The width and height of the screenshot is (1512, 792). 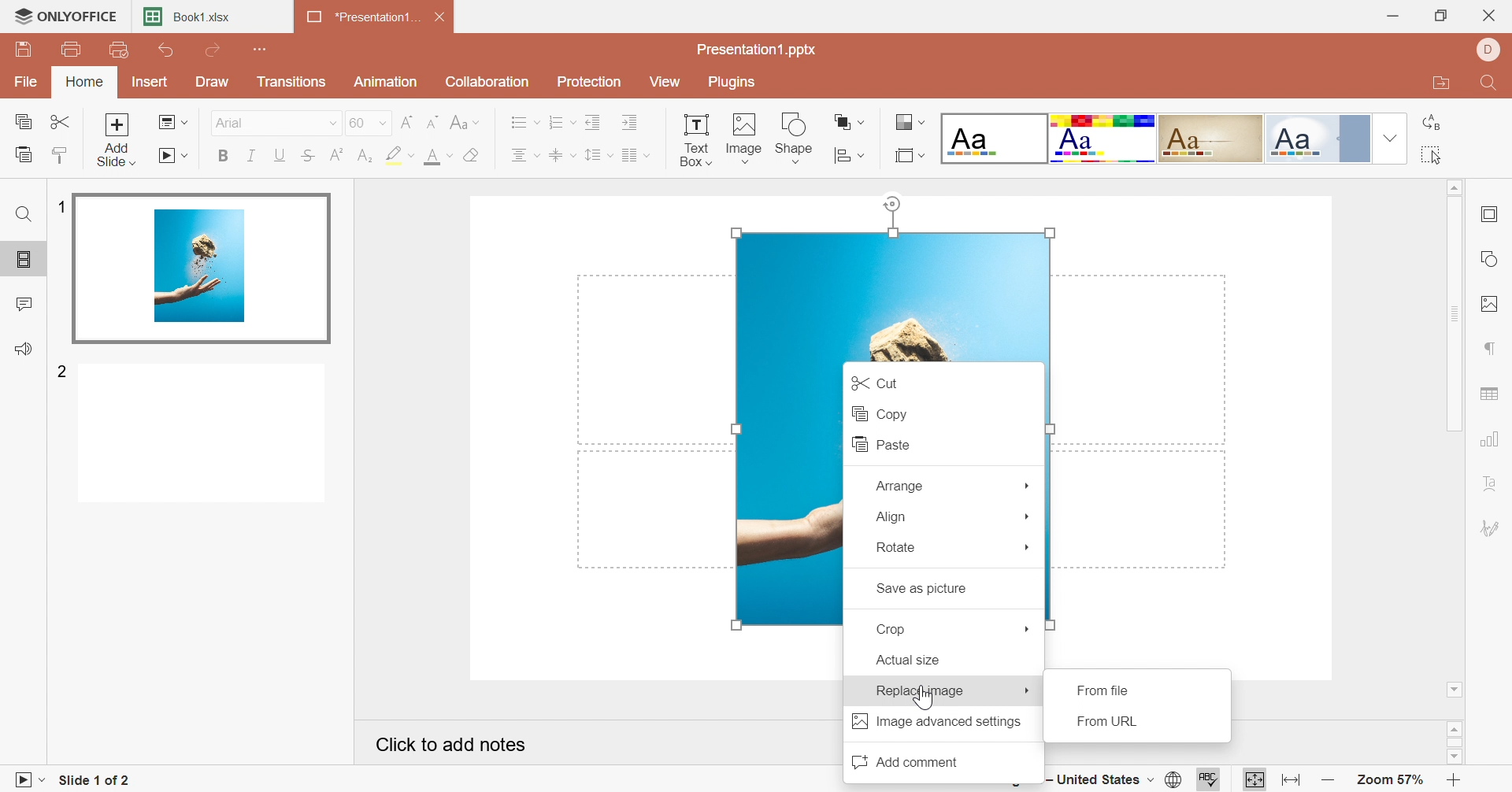 I want to click on Increment font size, so click(x=406, y=120).